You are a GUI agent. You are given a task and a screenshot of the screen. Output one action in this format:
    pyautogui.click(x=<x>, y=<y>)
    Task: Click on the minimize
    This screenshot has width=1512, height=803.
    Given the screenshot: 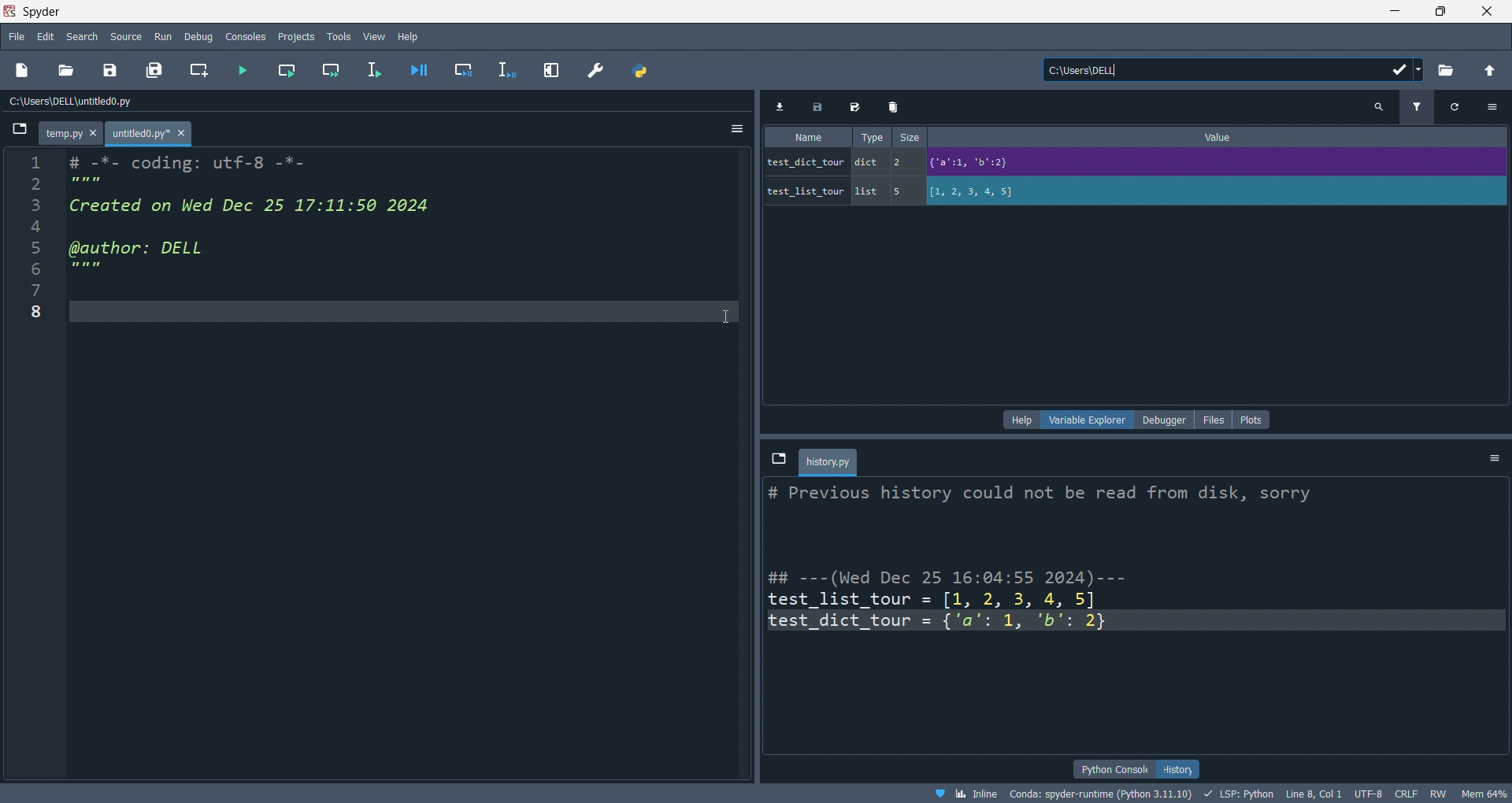 What is the action you would take?
    pyautogui.click(x=1392, y=10)
    